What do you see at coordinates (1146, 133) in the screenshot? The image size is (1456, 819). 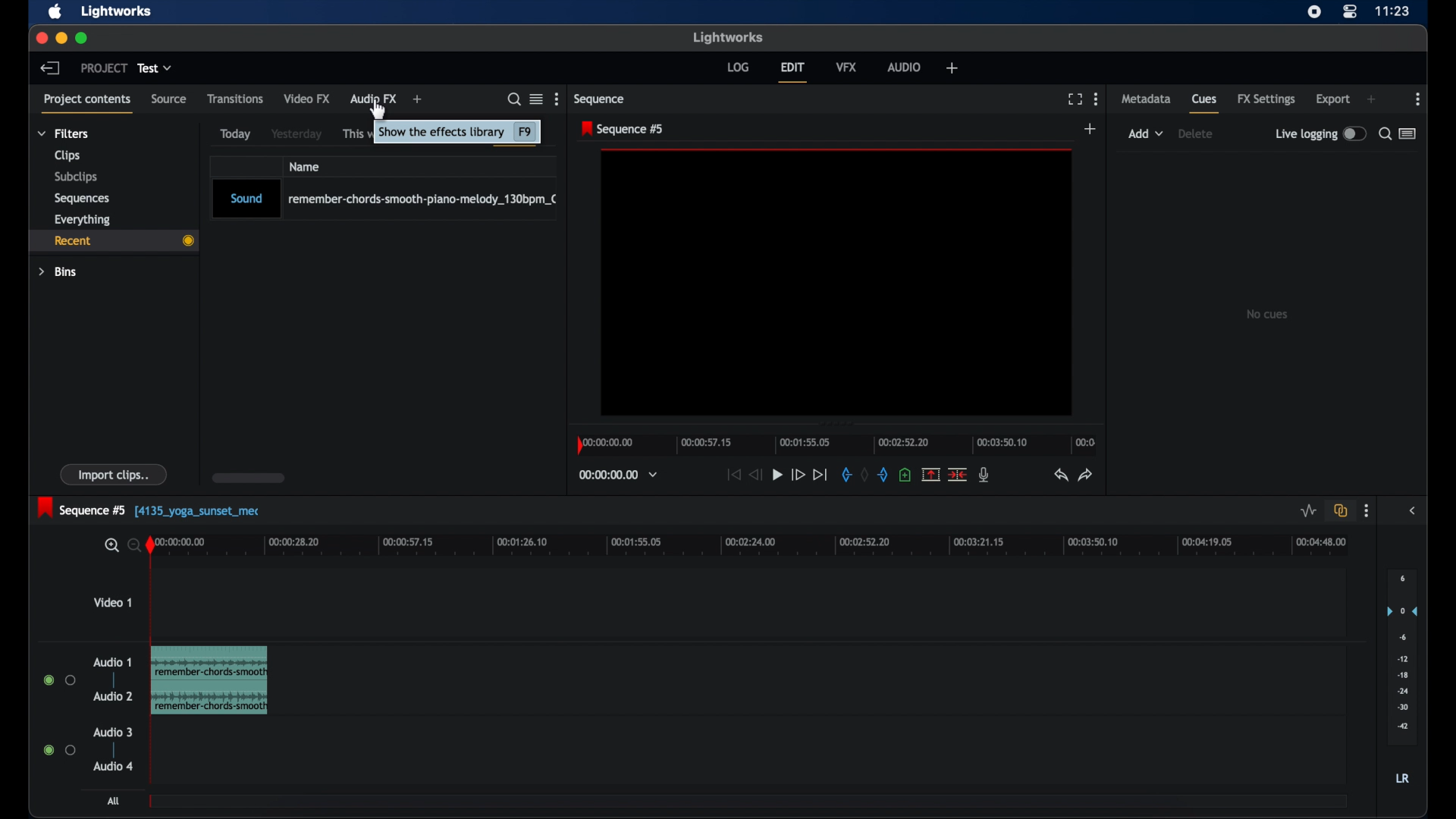 I see `add` at bounding box center [1146, 133].